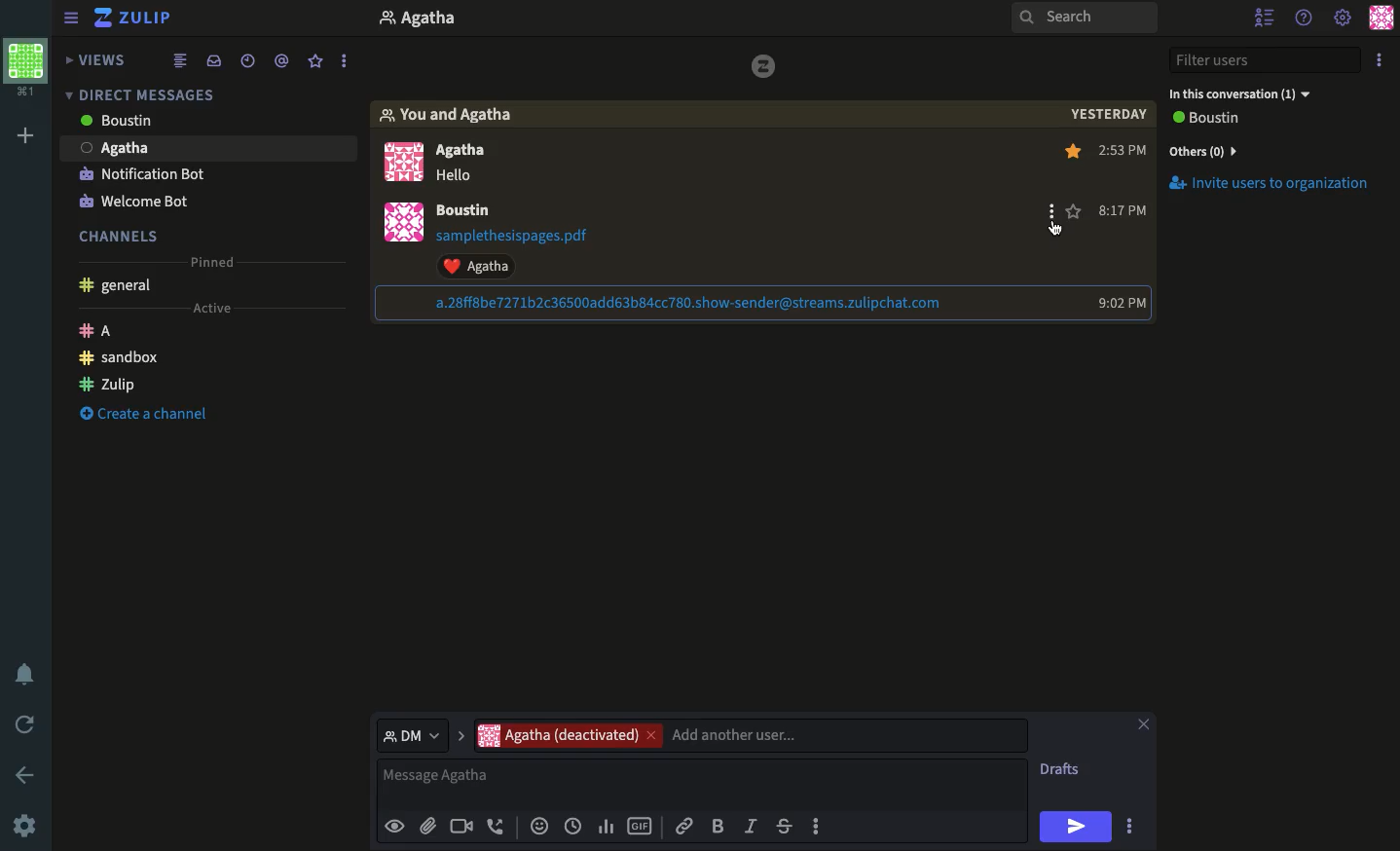 The width and height of the screenshot is (1400, 851). Describe the element at coordinates (1077, 155) in the screenshot. I see `star` at that location.